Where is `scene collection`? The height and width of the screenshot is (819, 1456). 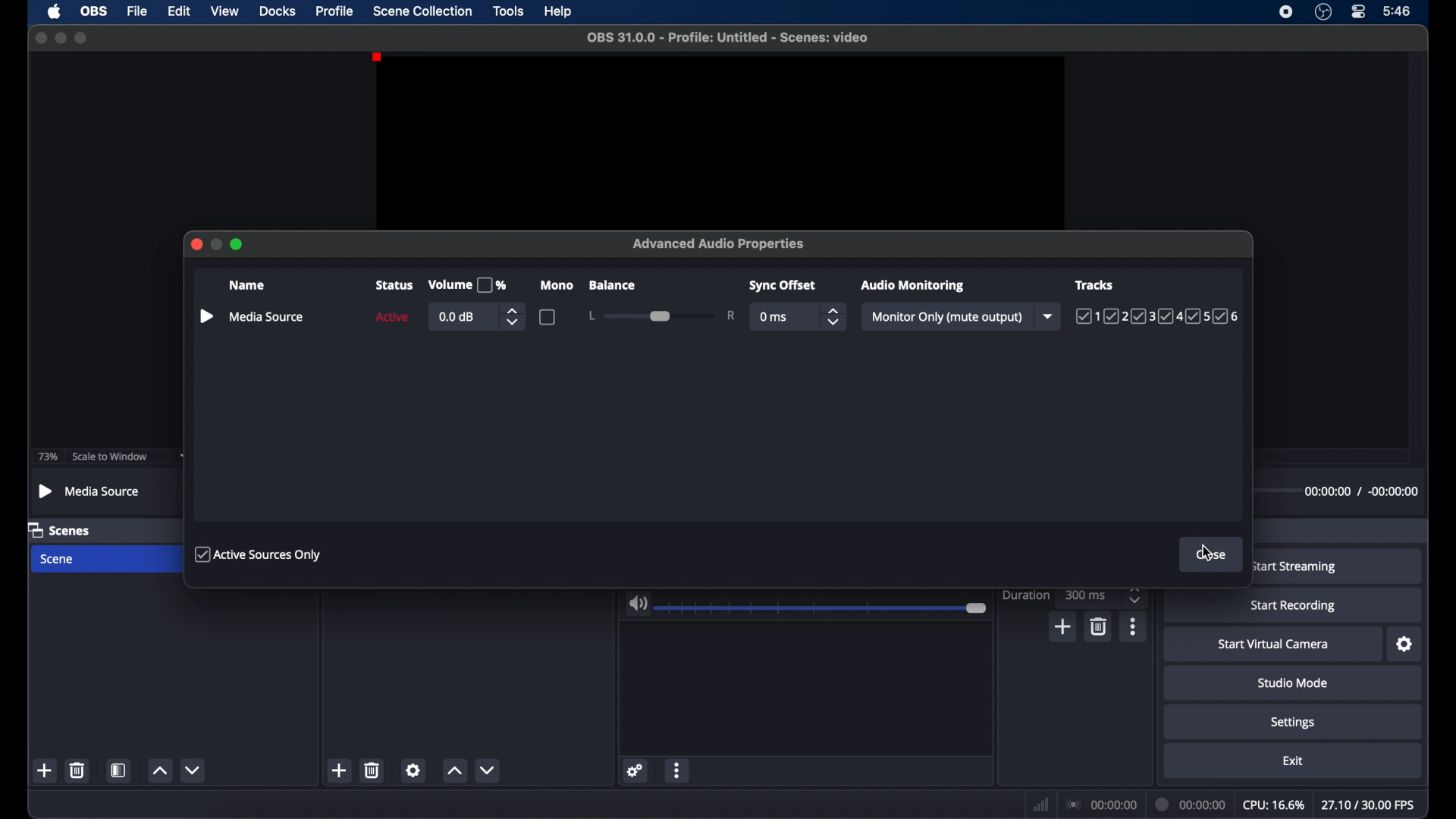
scene collection is located at coordinates (423, 11).